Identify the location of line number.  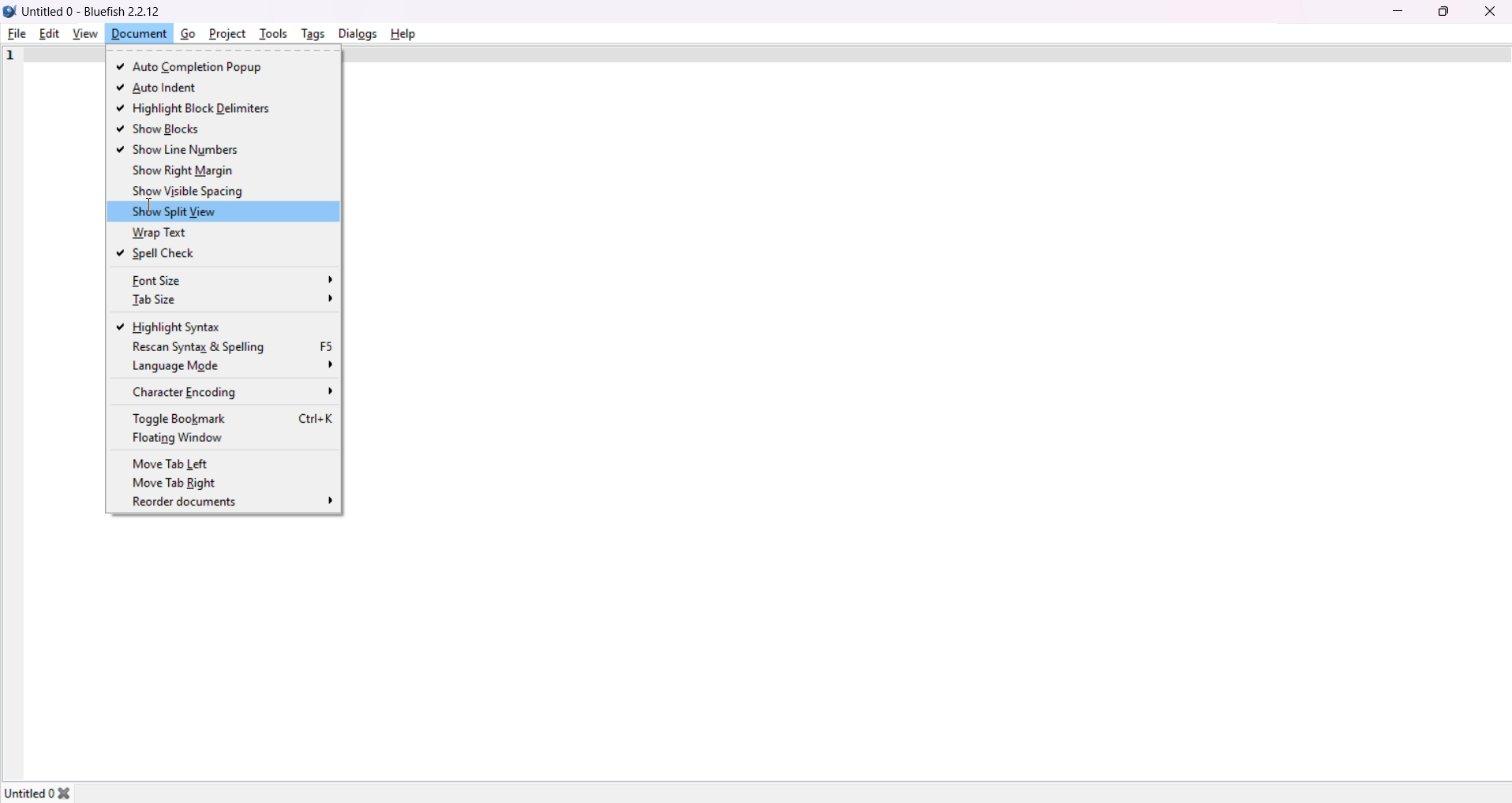
(10, 57).